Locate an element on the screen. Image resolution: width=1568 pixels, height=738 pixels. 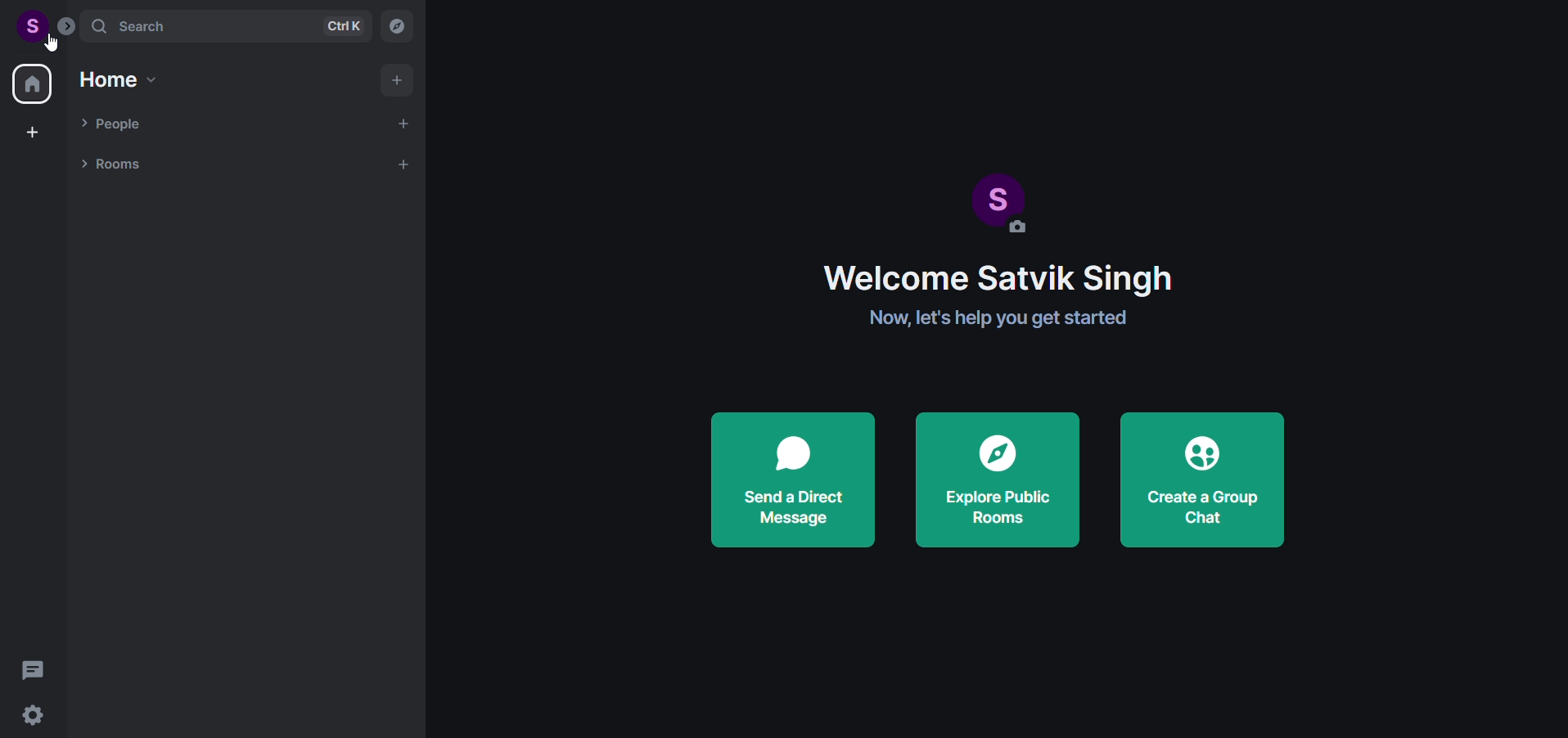
search ctrl k is located at coordinates (227, 27).